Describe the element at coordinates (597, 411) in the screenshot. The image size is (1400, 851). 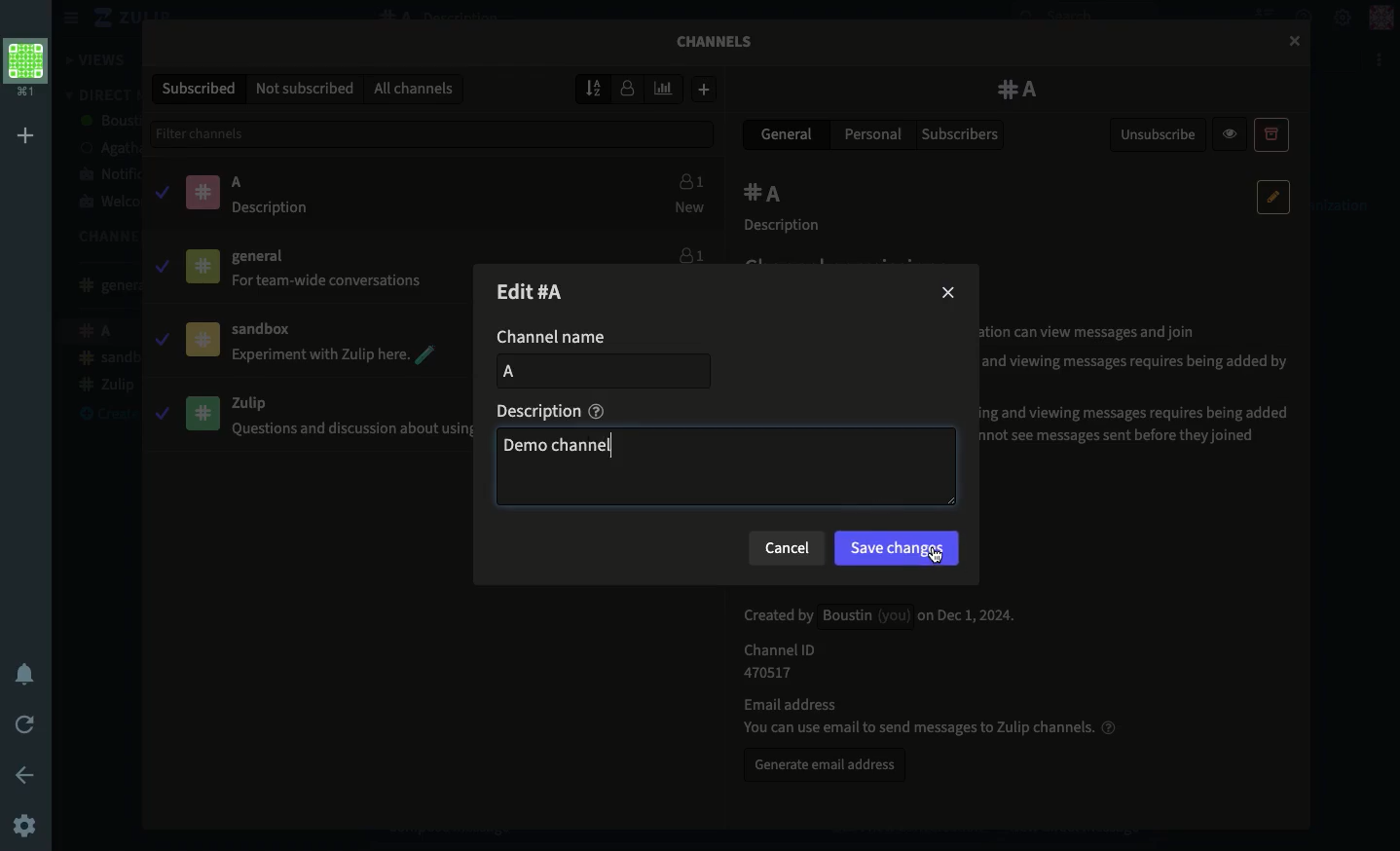
I see `help` at that location.